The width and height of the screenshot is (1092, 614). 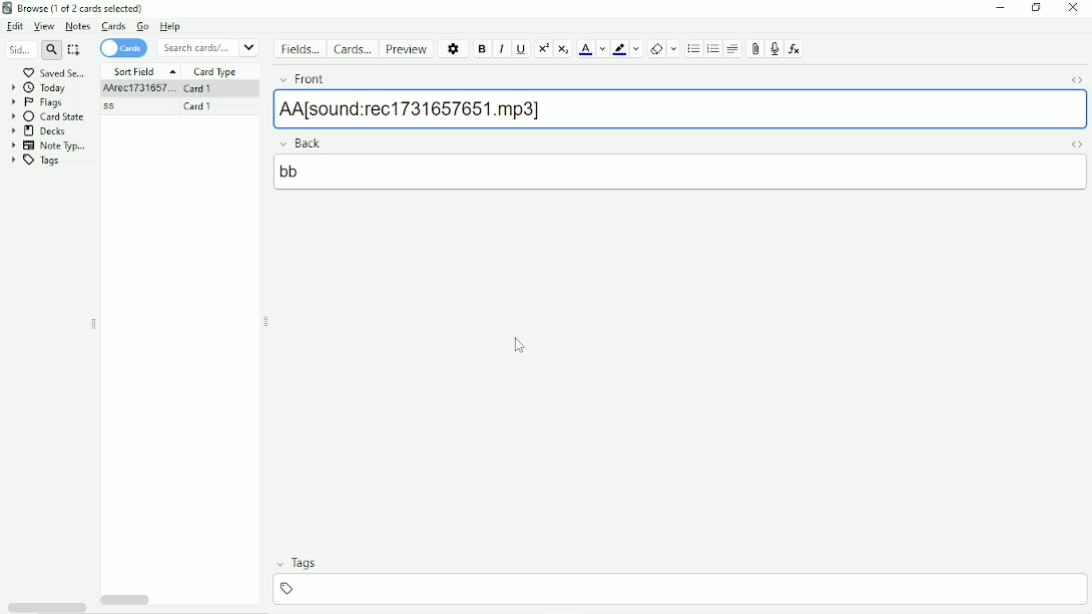 I want to click on Equations, so click(x=795, y=49).